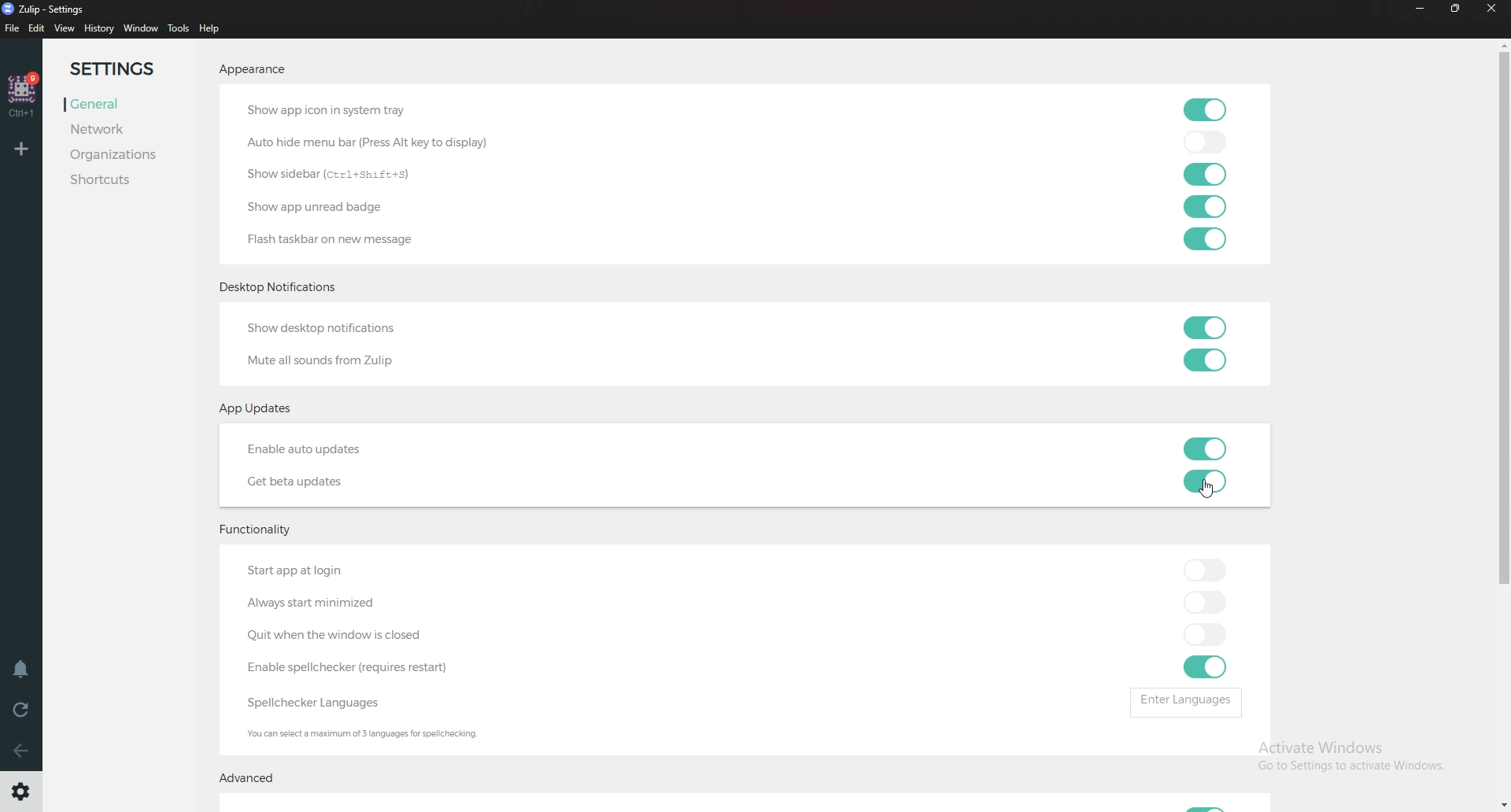  What do you see at coordinates (211, 28) in the screenshot?
I see `help` at bounding box center [211, 28].